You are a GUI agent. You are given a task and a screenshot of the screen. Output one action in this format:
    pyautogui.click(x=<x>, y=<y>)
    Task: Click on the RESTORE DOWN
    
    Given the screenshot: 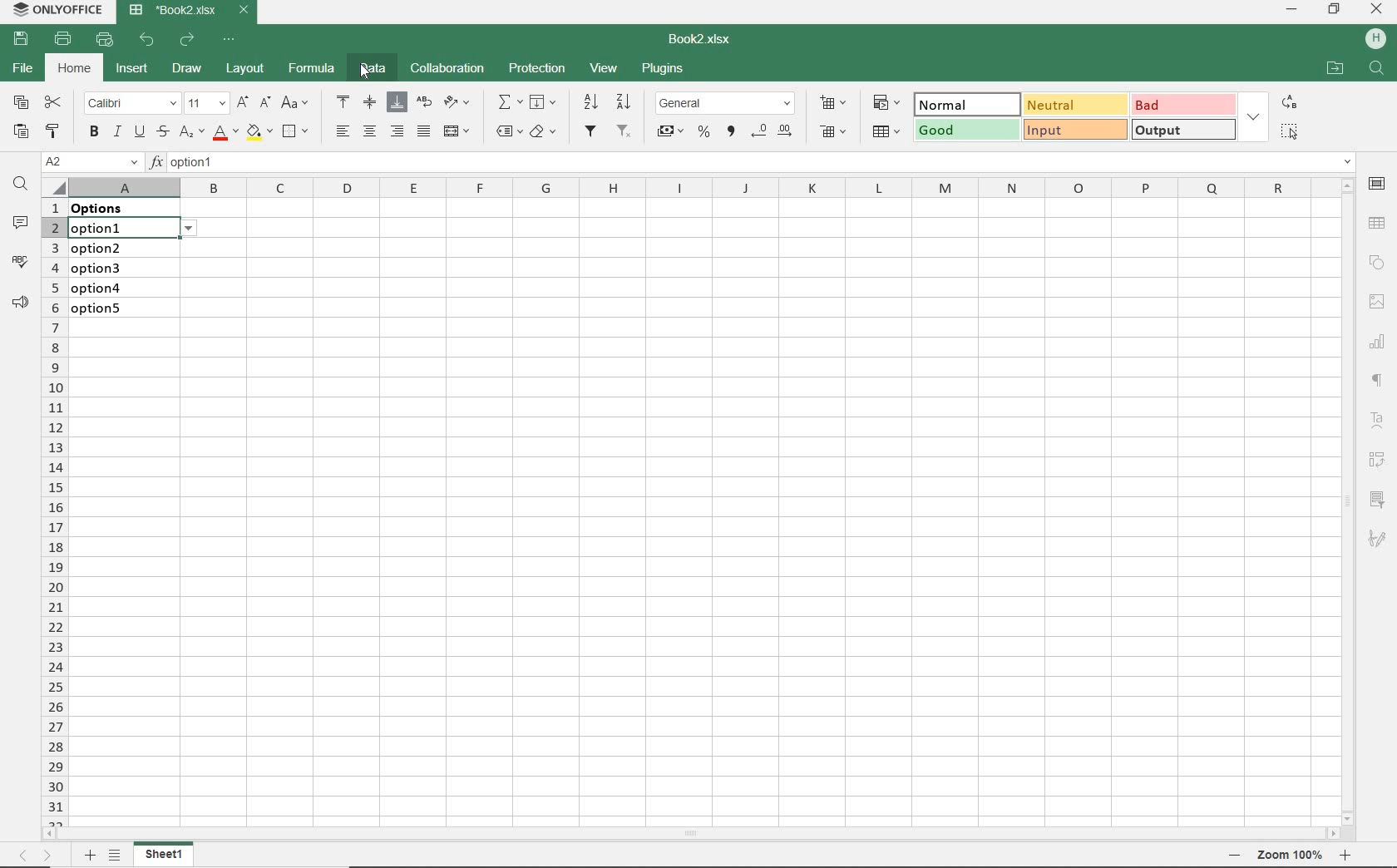 What is the action you would take?
    pyautogui.click(x=1335, y=11)
    